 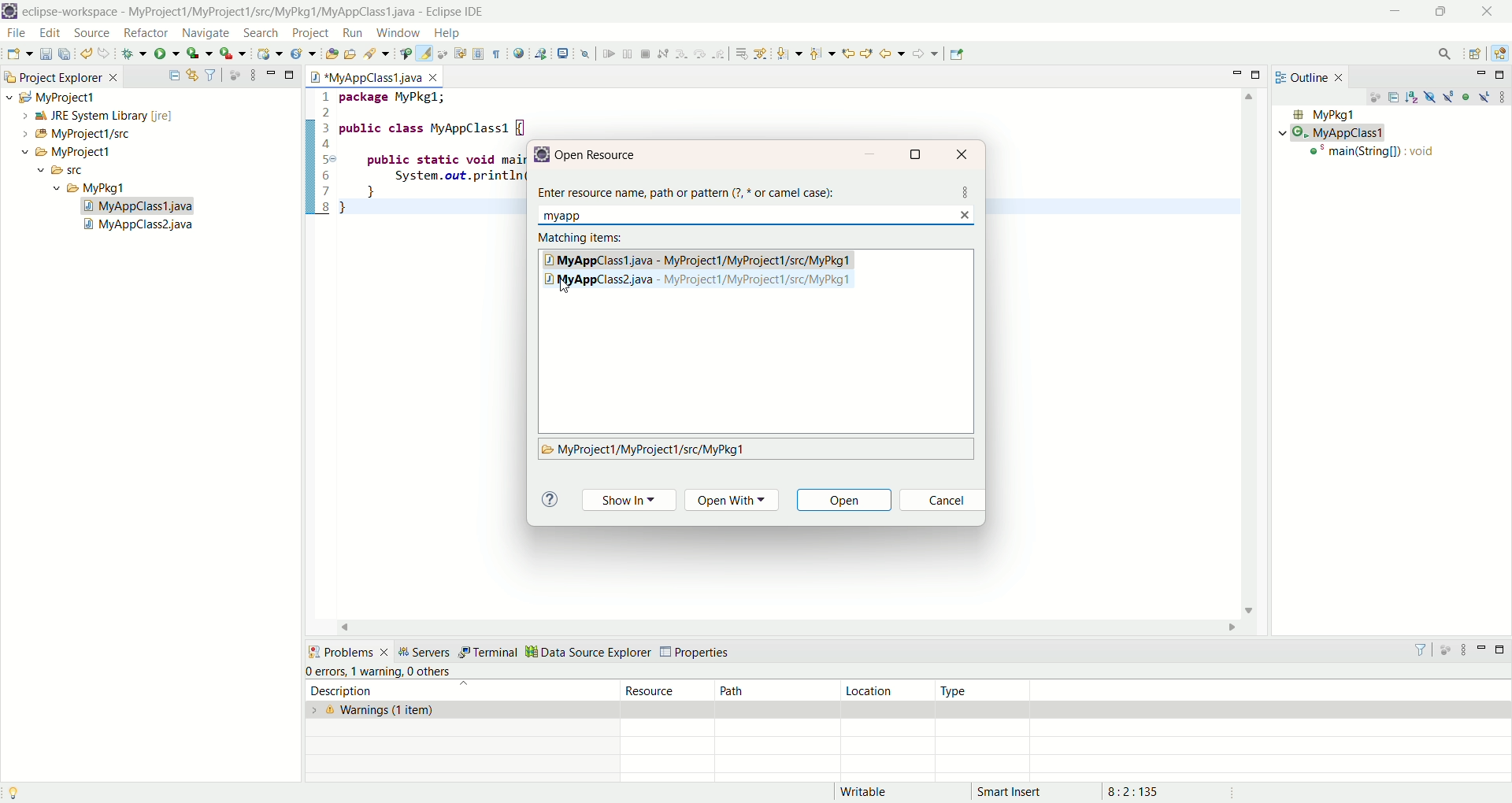 What do you see at coordinates (607, 55) in the screenshot?
I see `resume` at bounding box center [607, 55].